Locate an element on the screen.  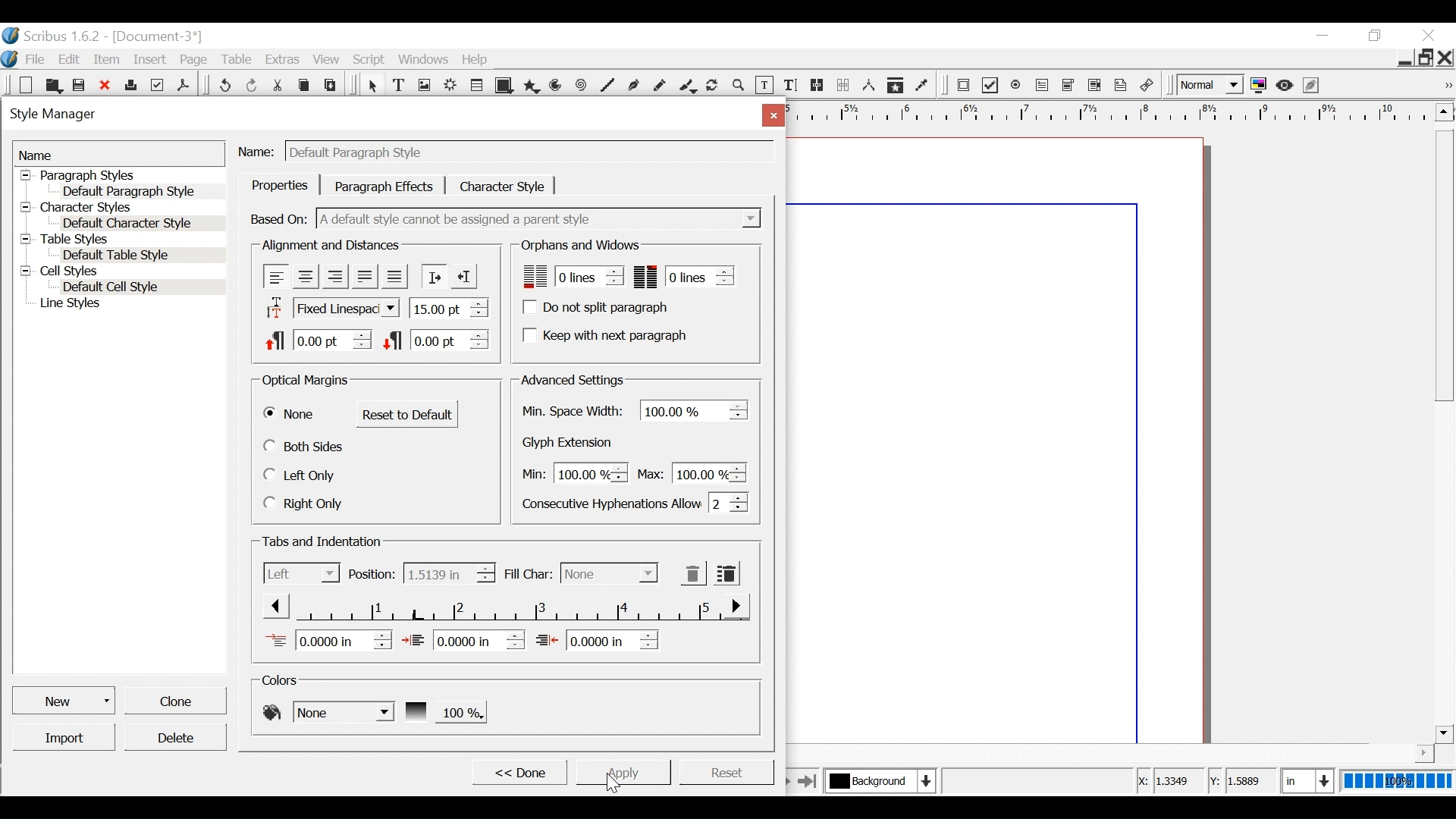
line spacing is located at coordinates (450, 307).